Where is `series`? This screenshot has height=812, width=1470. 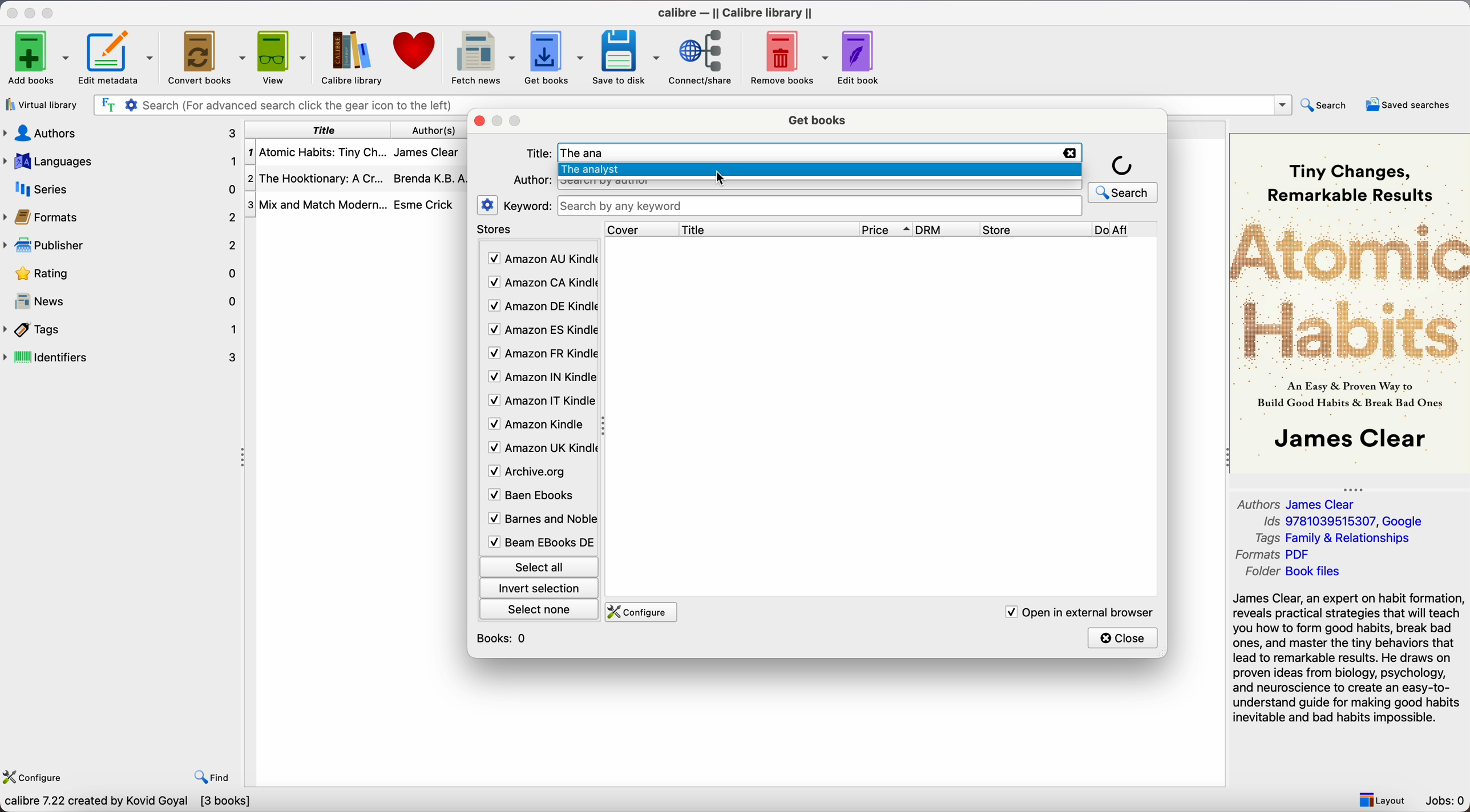 series is located at coordinates (120, 189).